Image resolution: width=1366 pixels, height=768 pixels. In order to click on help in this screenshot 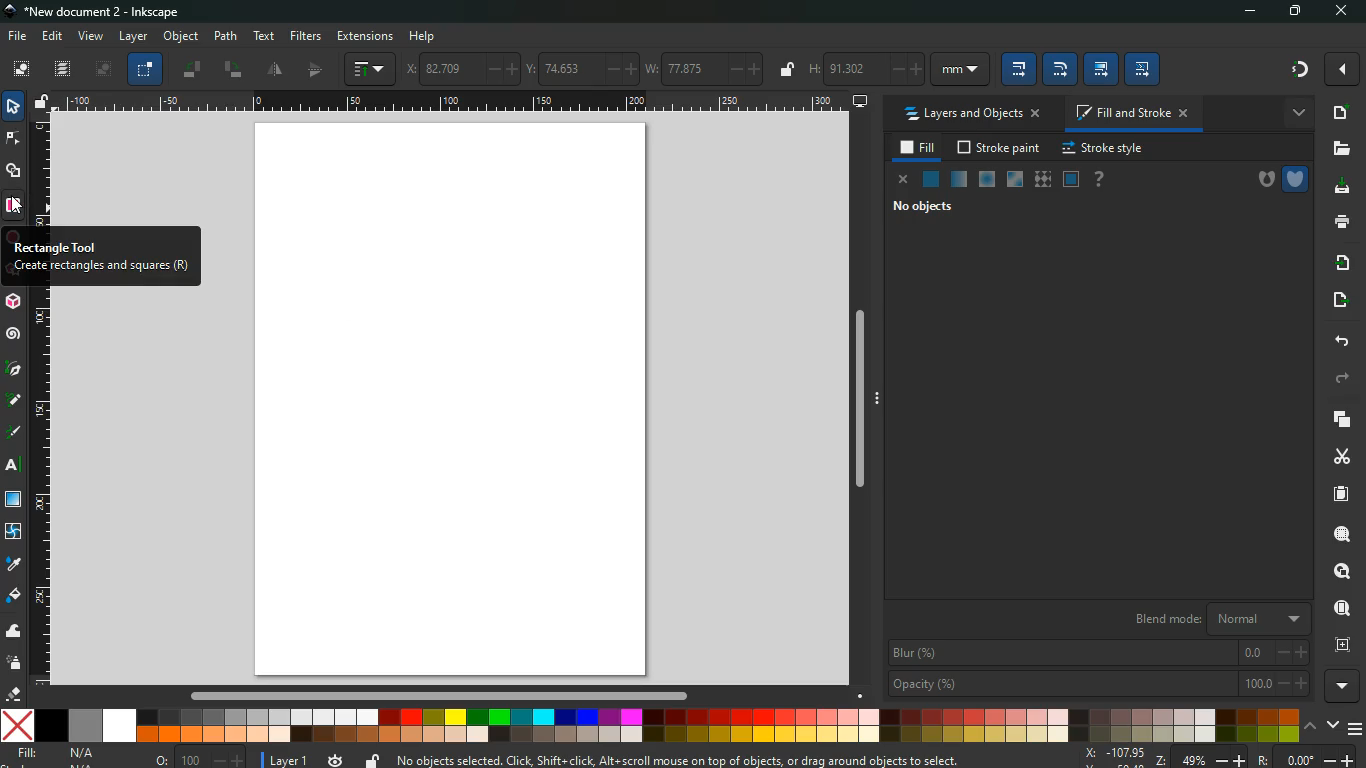, I will do `click(426, 37)`.